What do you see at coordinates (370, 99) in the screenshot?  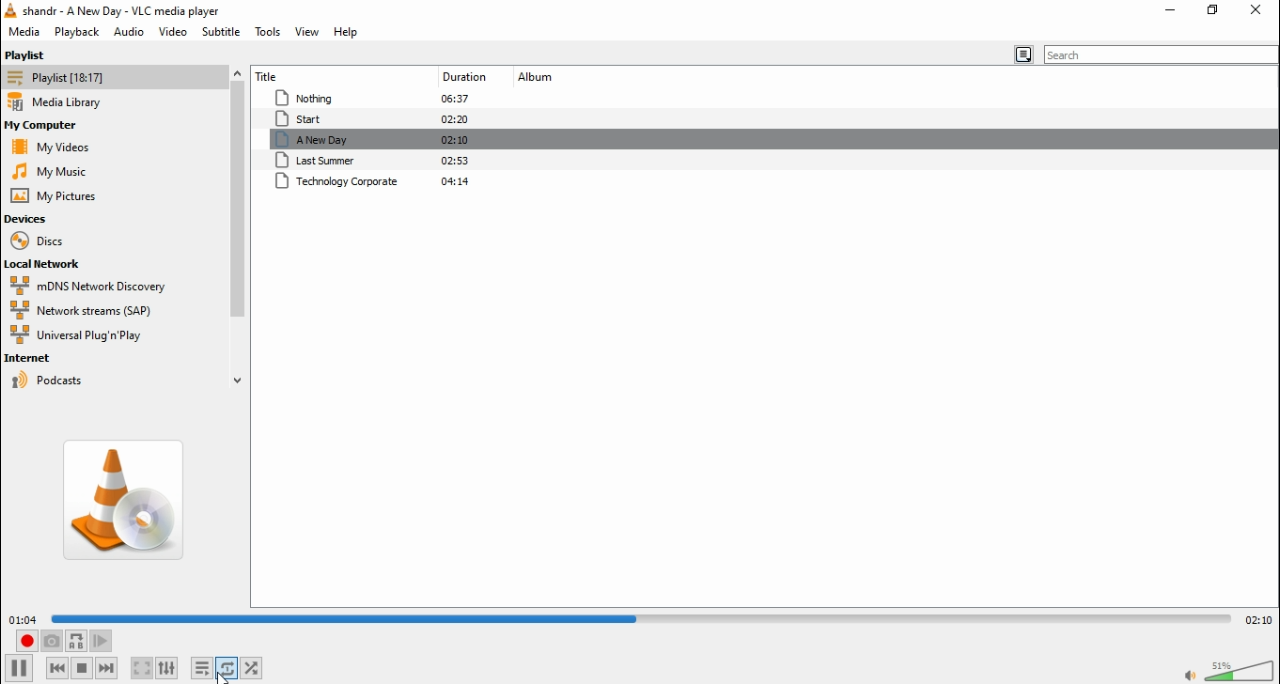 I see `nothing 06:37` at bounding box center [370, 99].